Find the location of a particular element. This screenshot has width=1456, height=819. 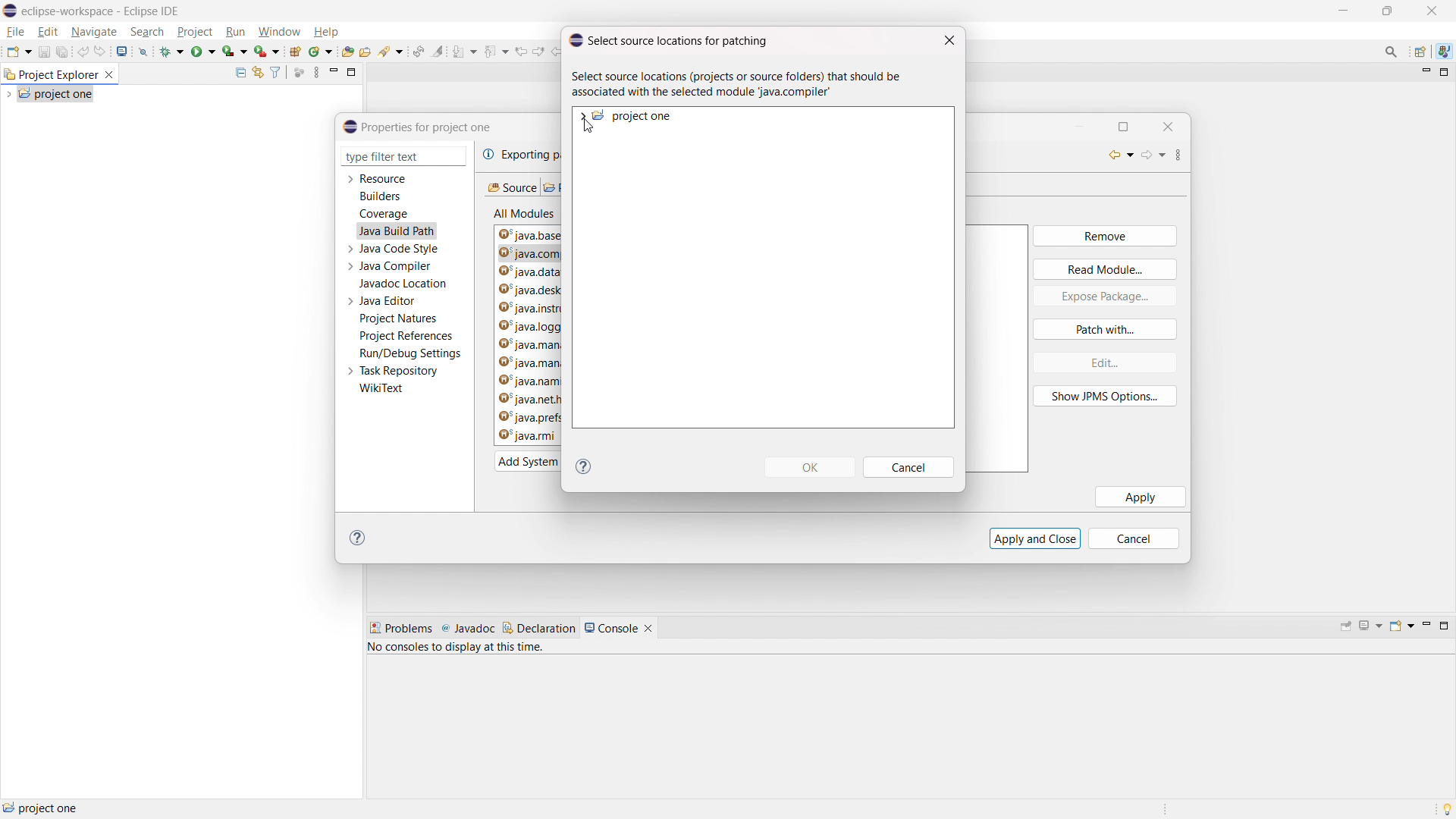

expose package is located at coordinates (1105, 297).